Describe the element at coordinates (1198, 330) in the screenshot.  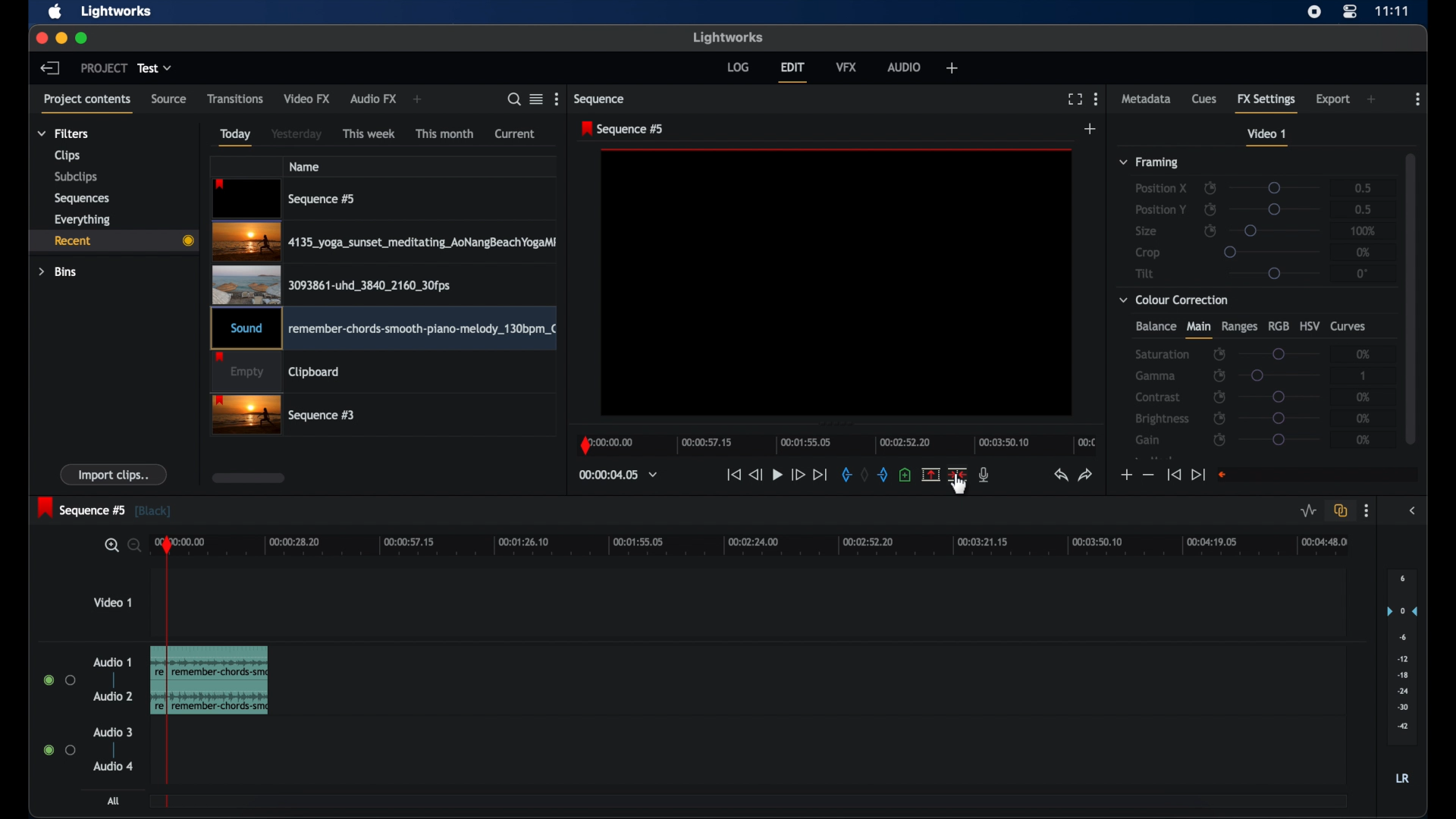
I see `main` at that location.